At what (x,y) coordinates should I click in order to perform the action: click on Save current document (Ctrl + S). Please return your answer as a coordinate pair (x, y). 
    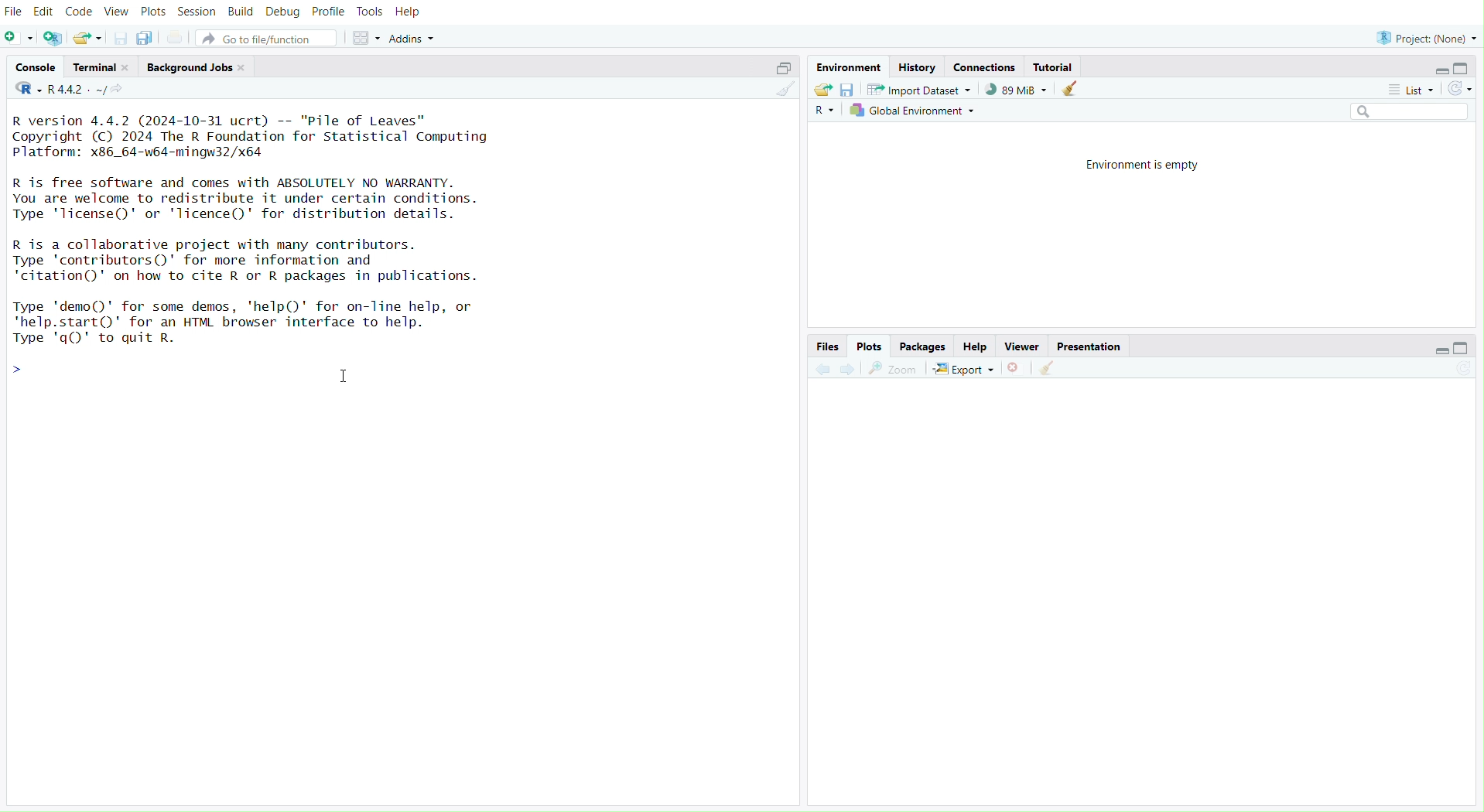
    Looking at the image, I should click on (122, 37).